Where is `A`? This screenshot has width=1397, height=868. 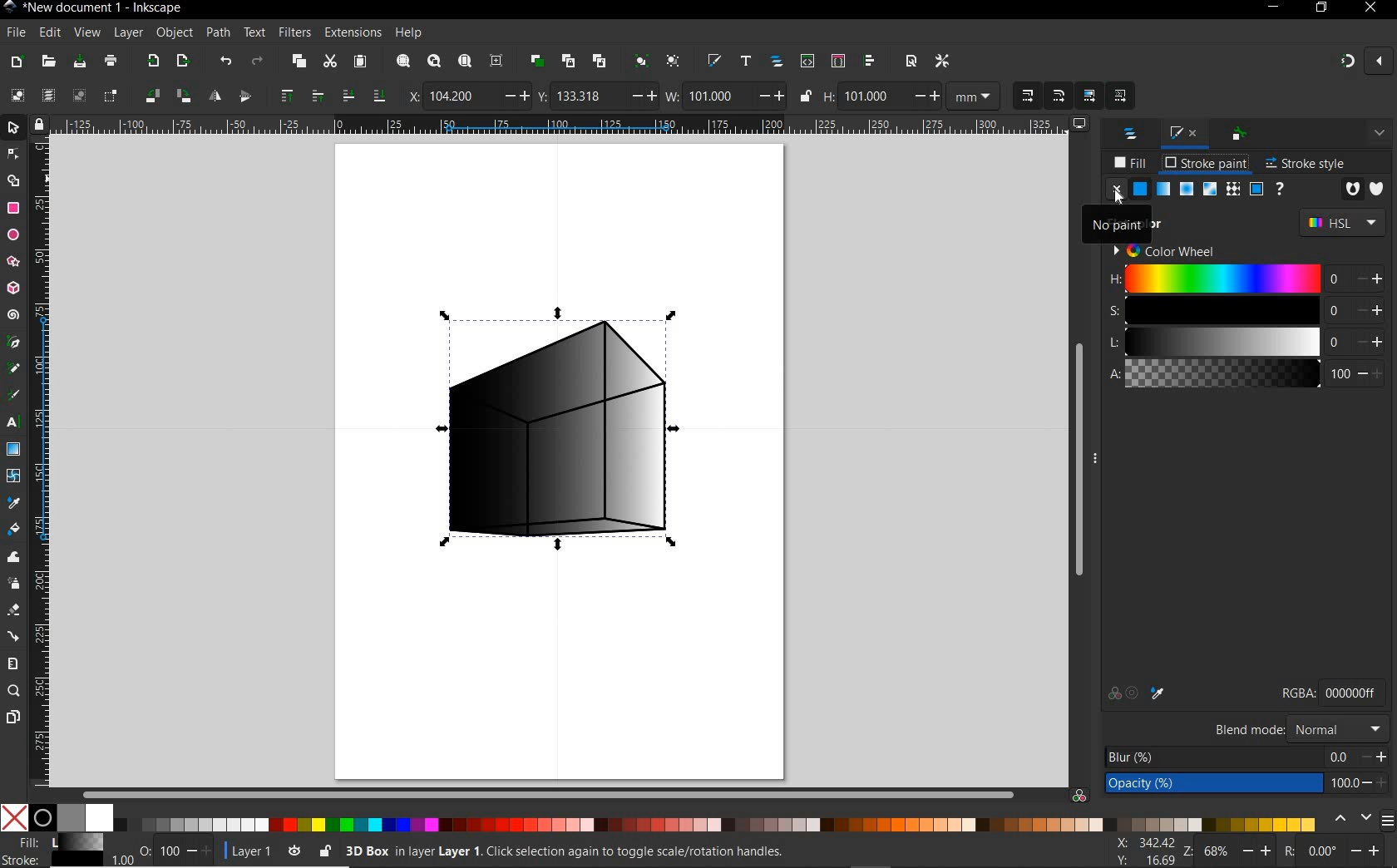
A is located at coordinates (1224, 374).